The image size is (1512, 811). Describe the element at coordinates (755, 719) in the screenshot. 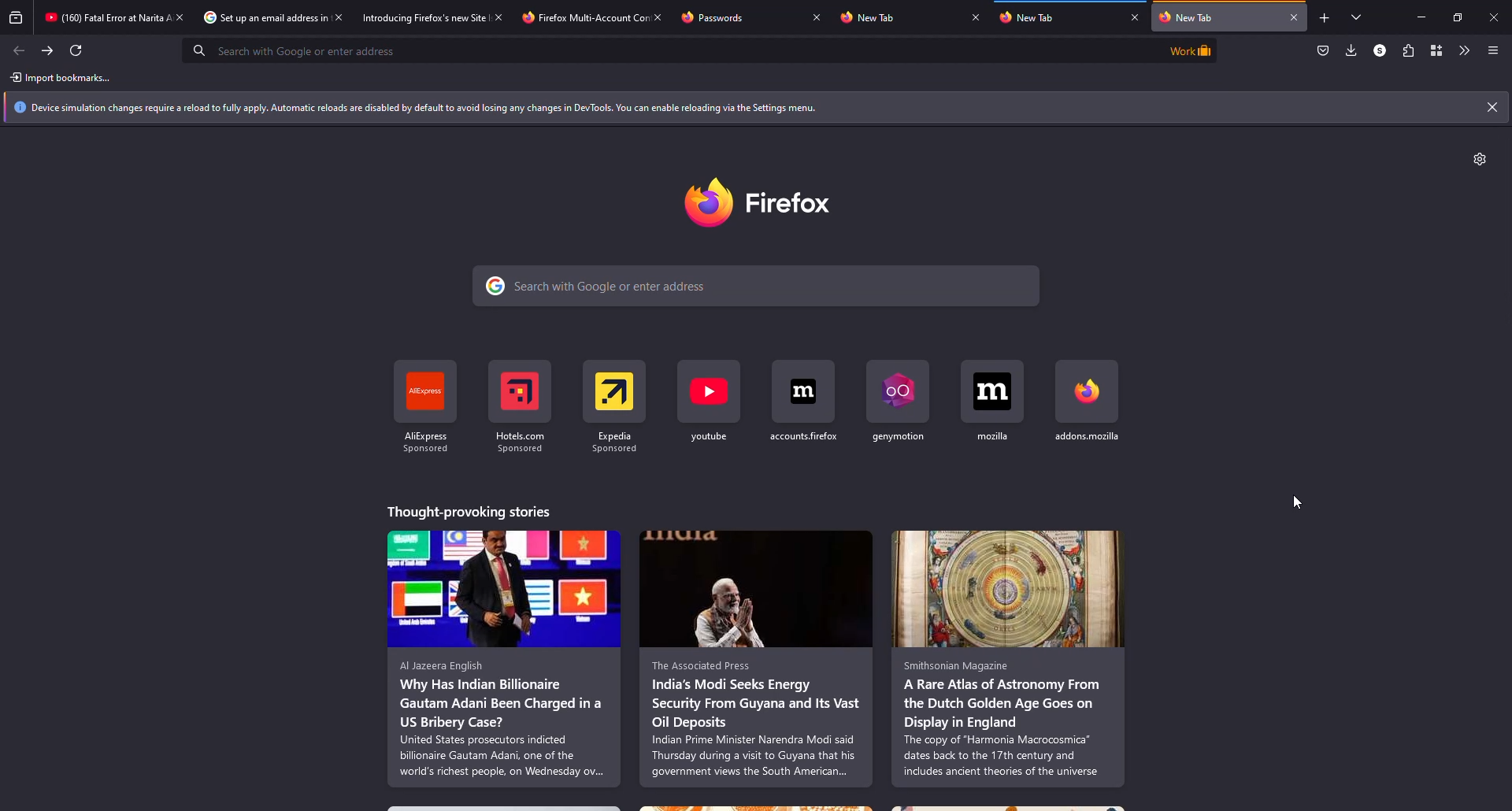

I see `Preview of story text` at that location.